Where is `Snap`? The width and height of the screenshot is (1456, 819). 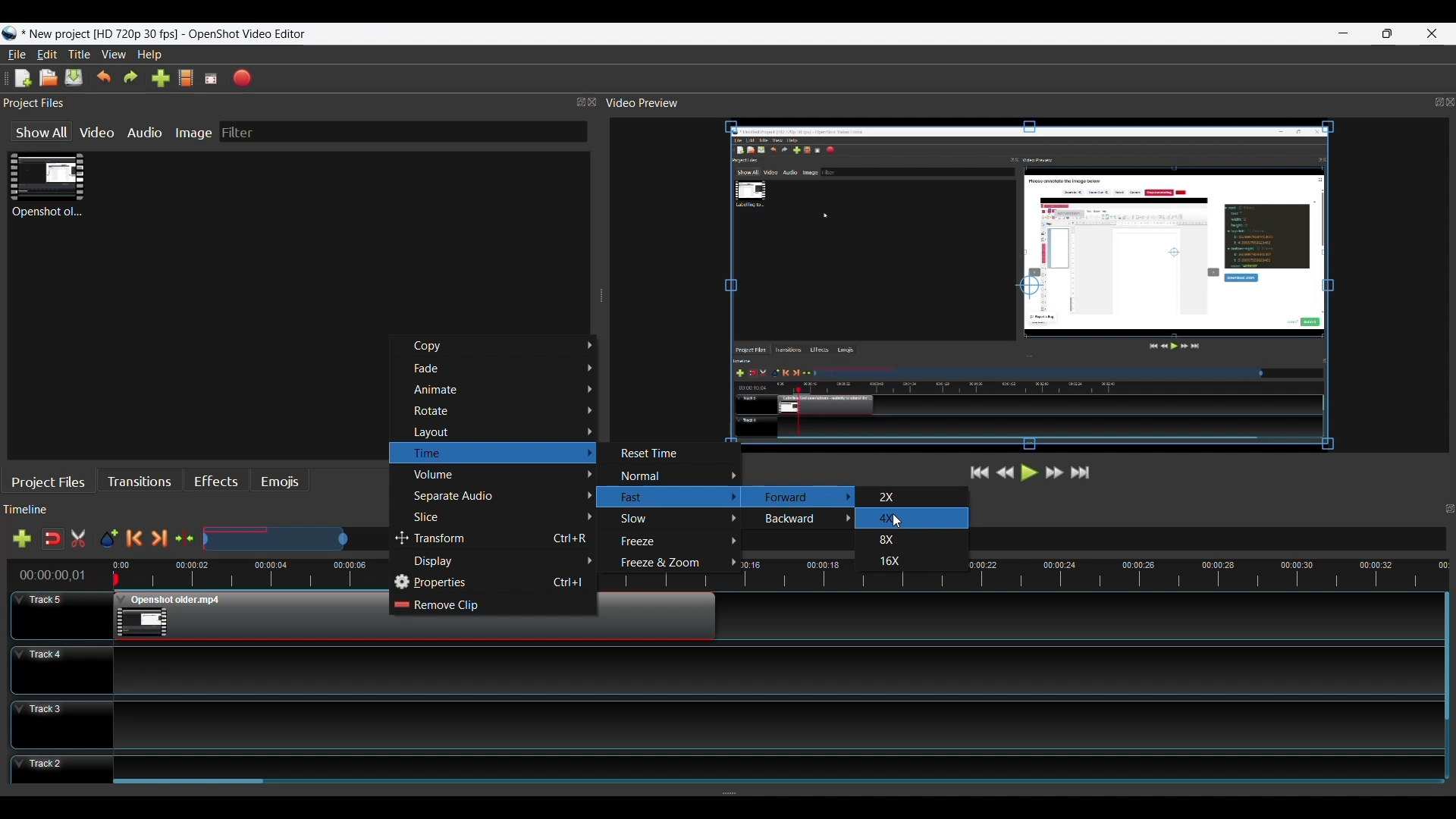
Snap is located at coordinates (52, 539).